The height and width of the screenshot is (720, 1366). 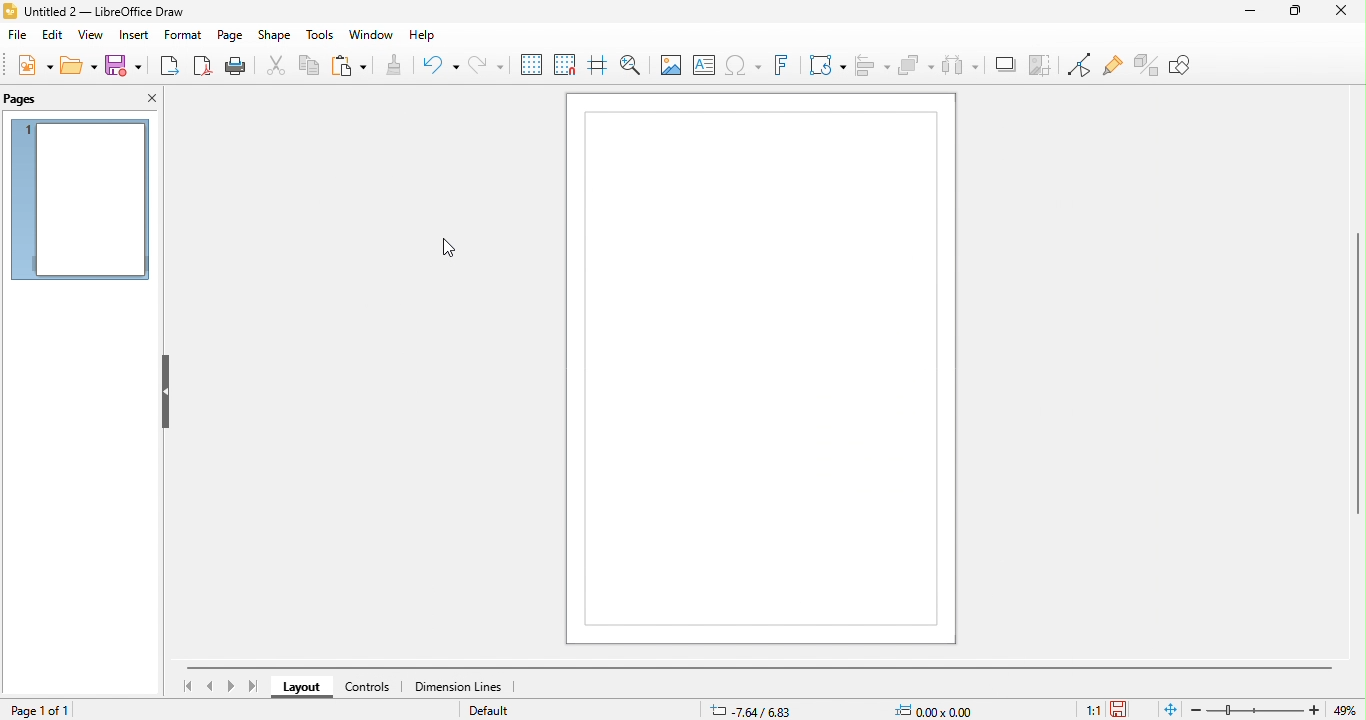 I want to click on vertical slider, so click(x=1337, y=378).